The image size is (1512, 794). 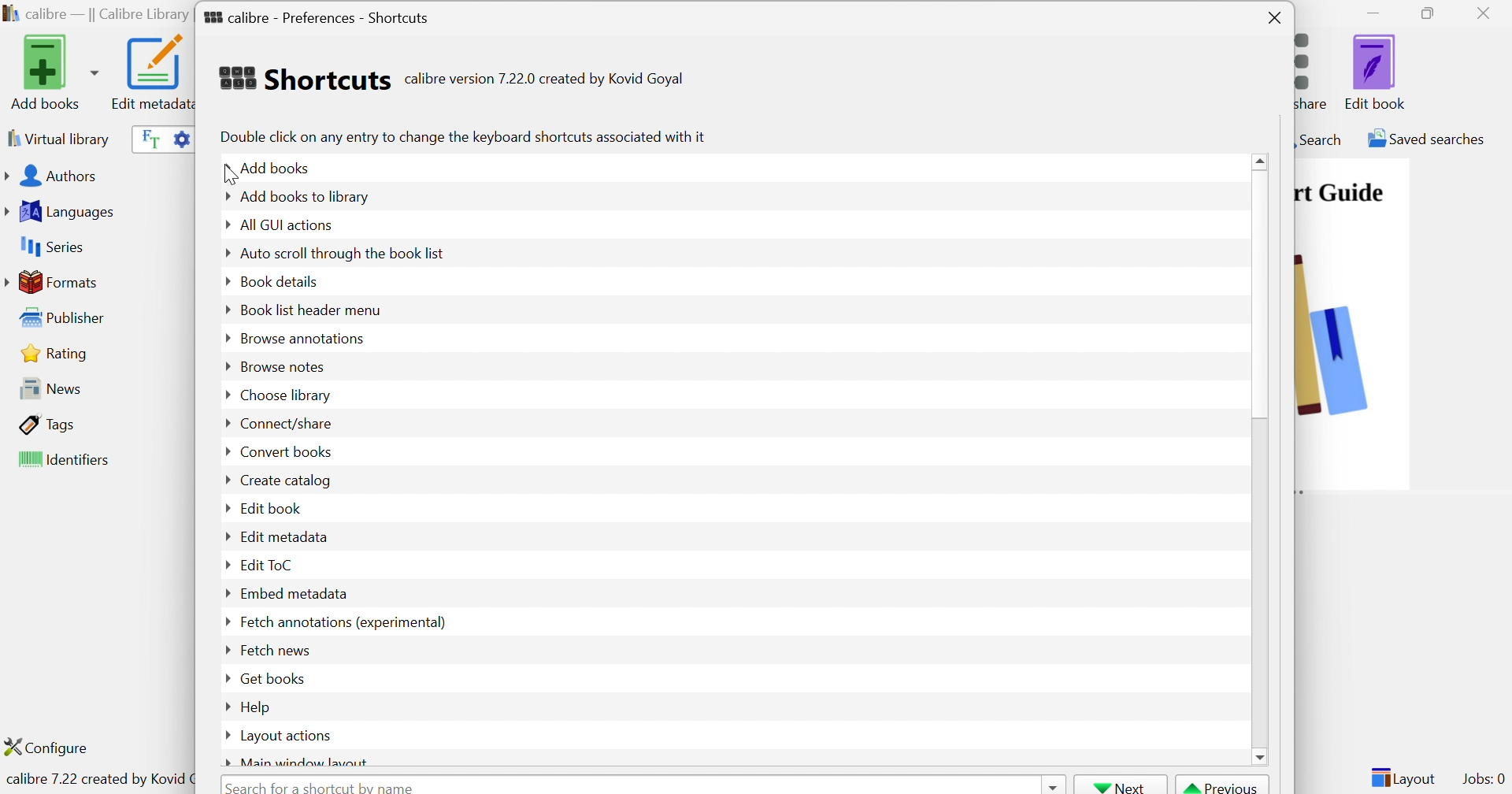 I want to click on Rating, so click(x=57, y=353).